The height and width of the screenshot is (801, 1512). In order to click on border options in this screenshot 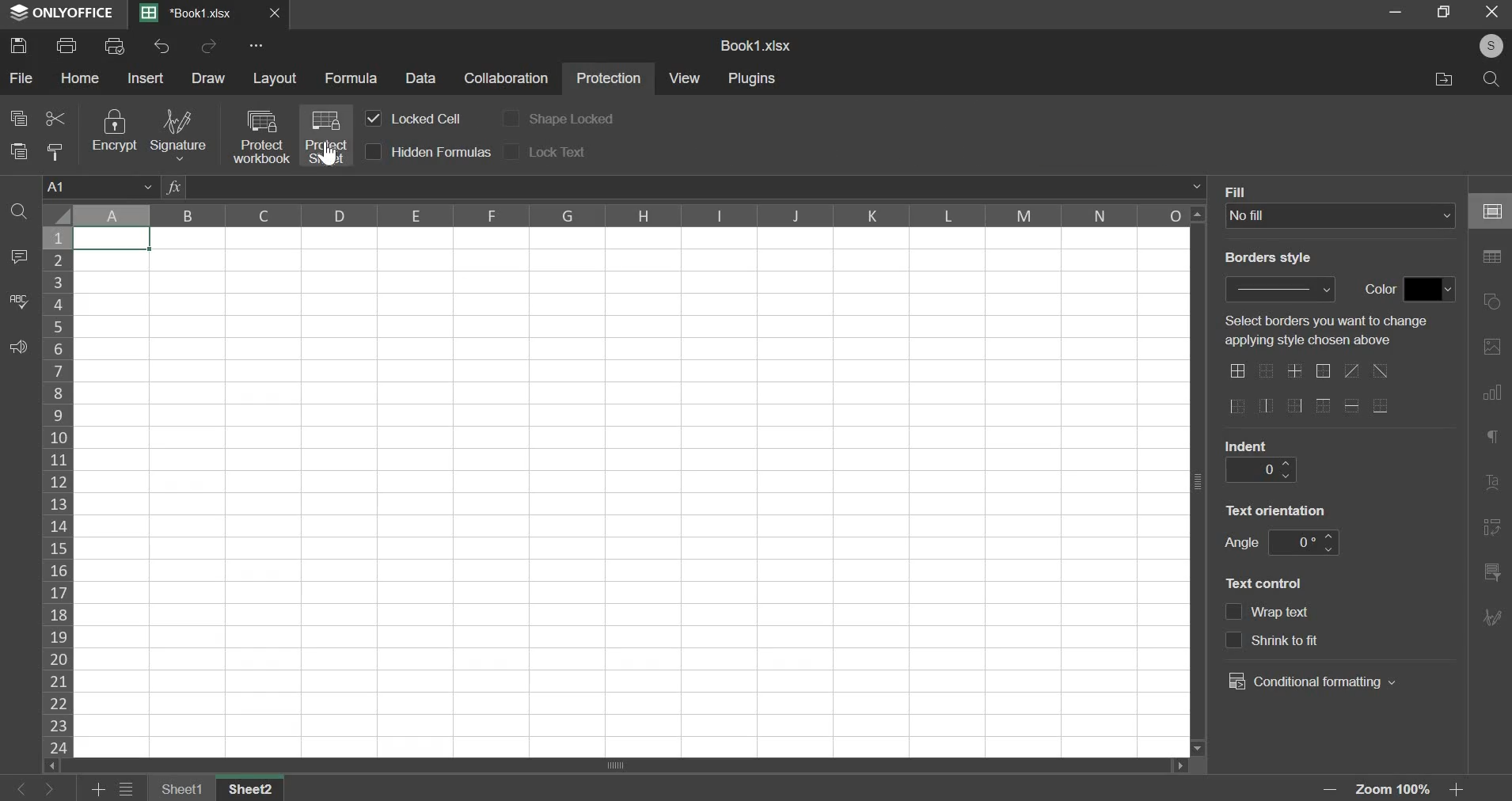, I will do `click(1351, 370)`.